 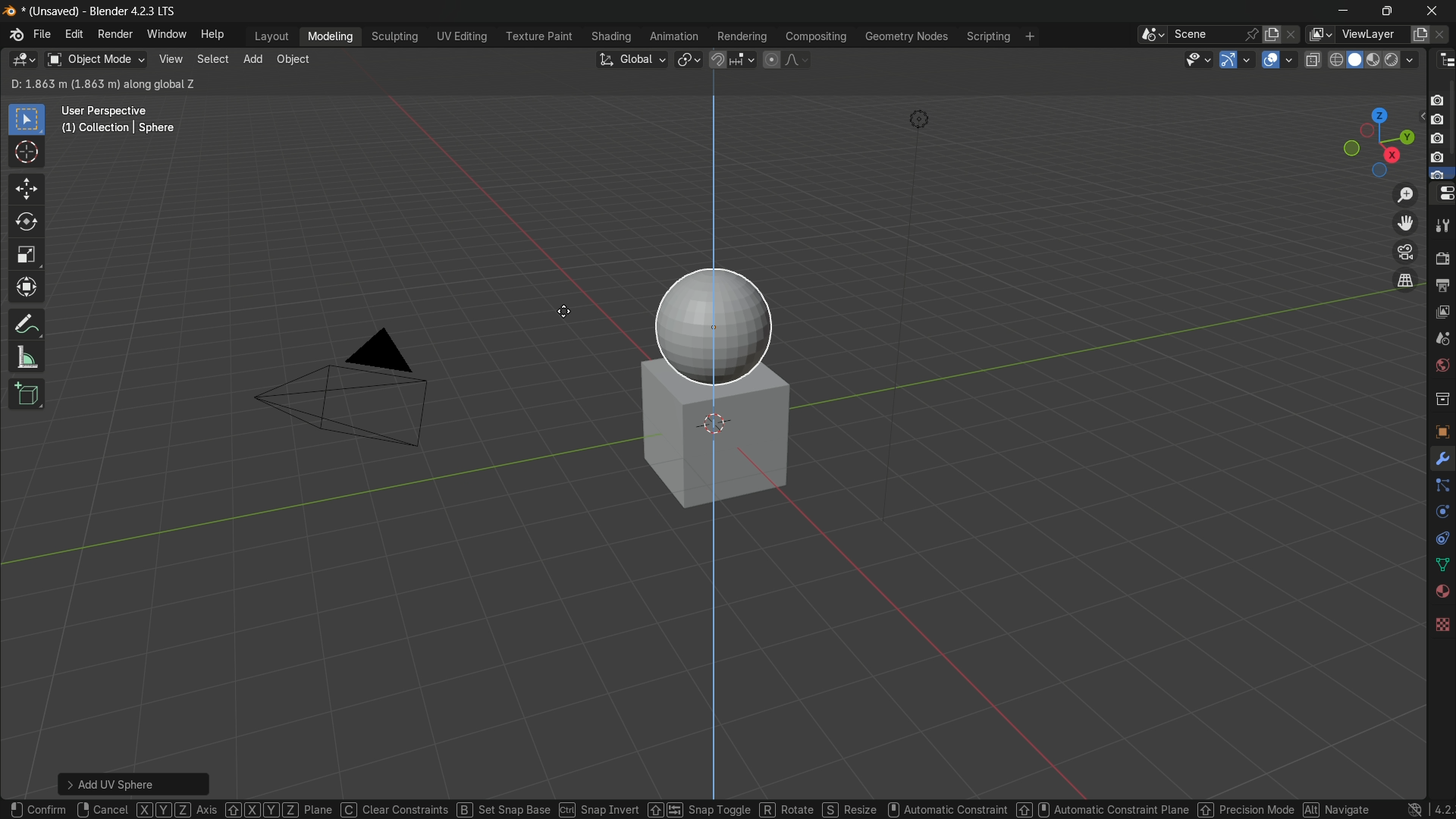 What do you see at coordinates (353, 395) in the screenshot?
I see `camera` at bounding box center [353, 395].